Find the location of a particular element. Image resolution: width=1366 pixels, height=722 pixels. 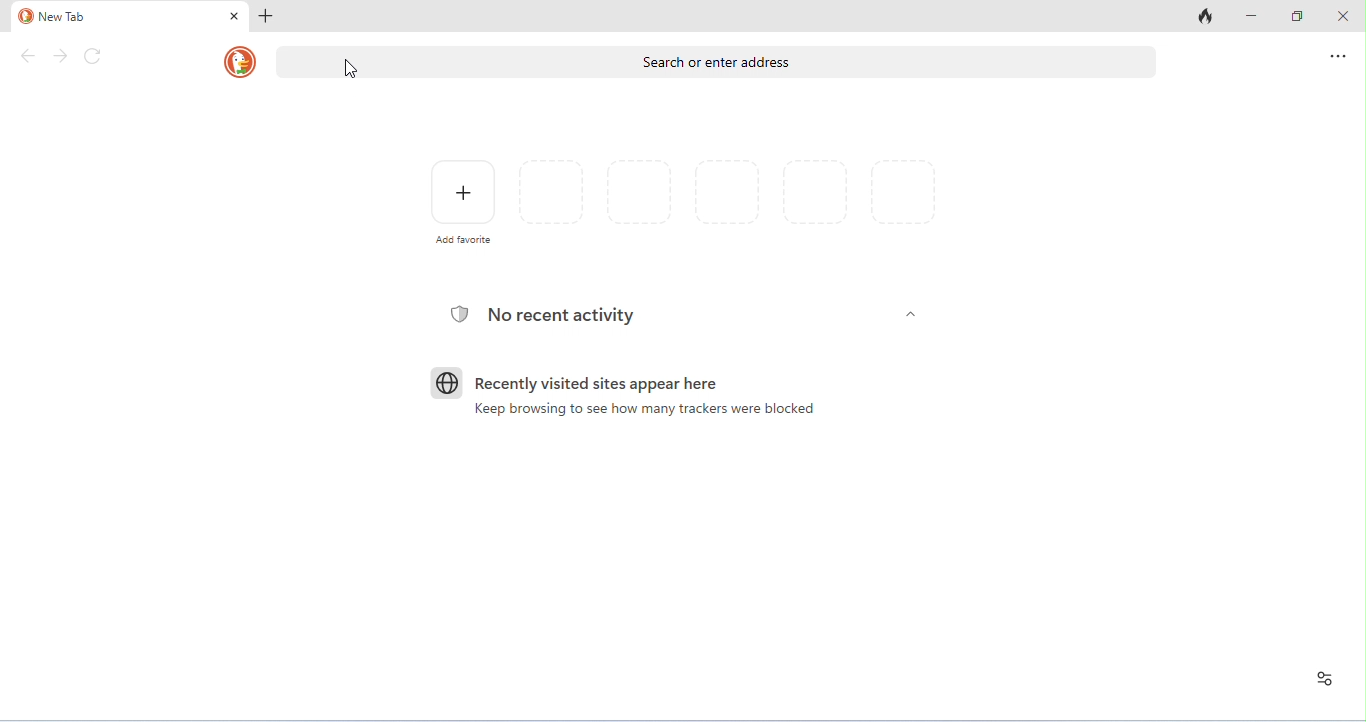

keep browsing to see how many trackers are blocked is located at coordinates (644, 409).